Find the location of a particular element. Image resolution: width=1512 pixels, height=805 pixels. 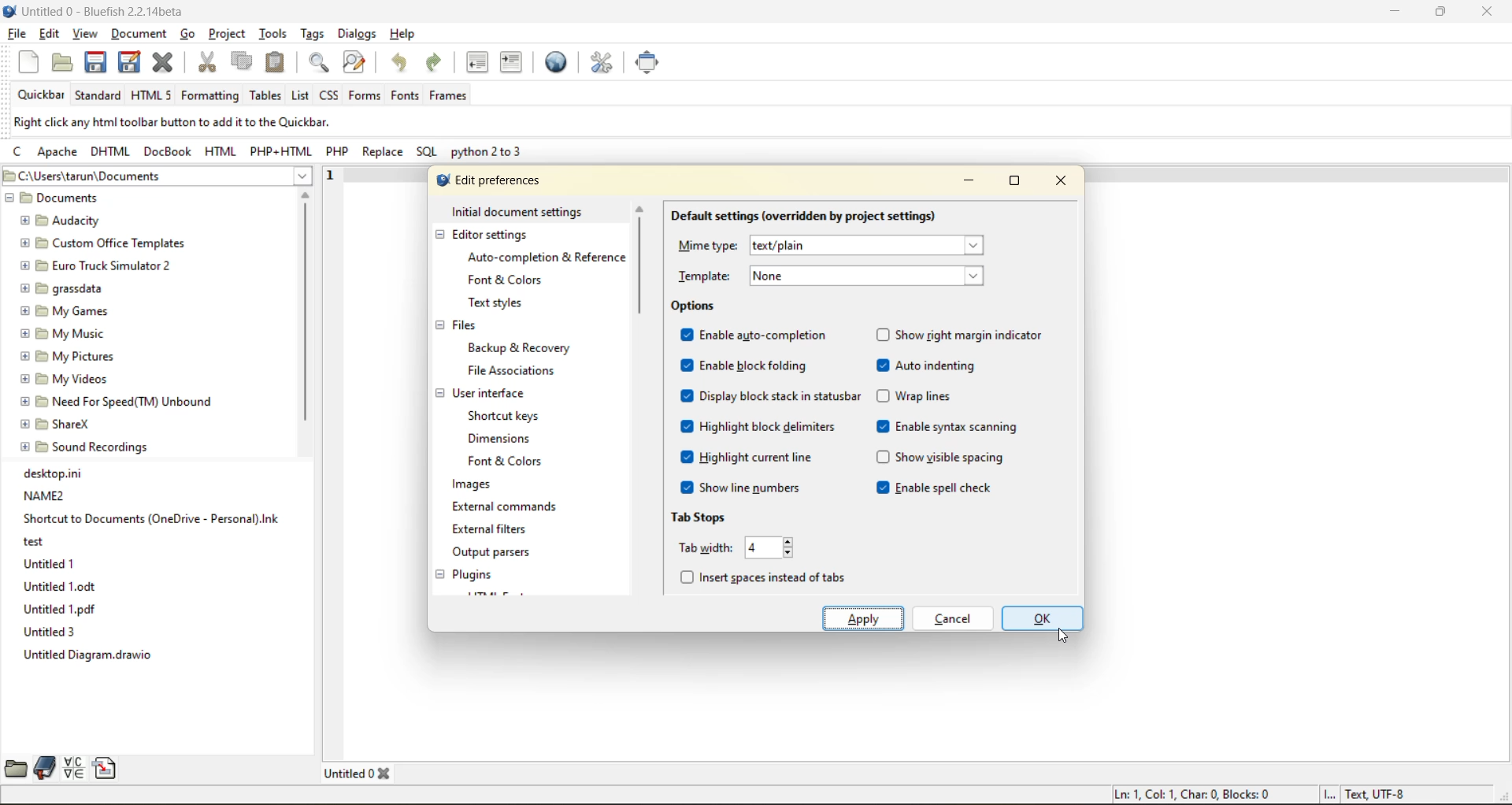

project is located at coordinates (228, 33).